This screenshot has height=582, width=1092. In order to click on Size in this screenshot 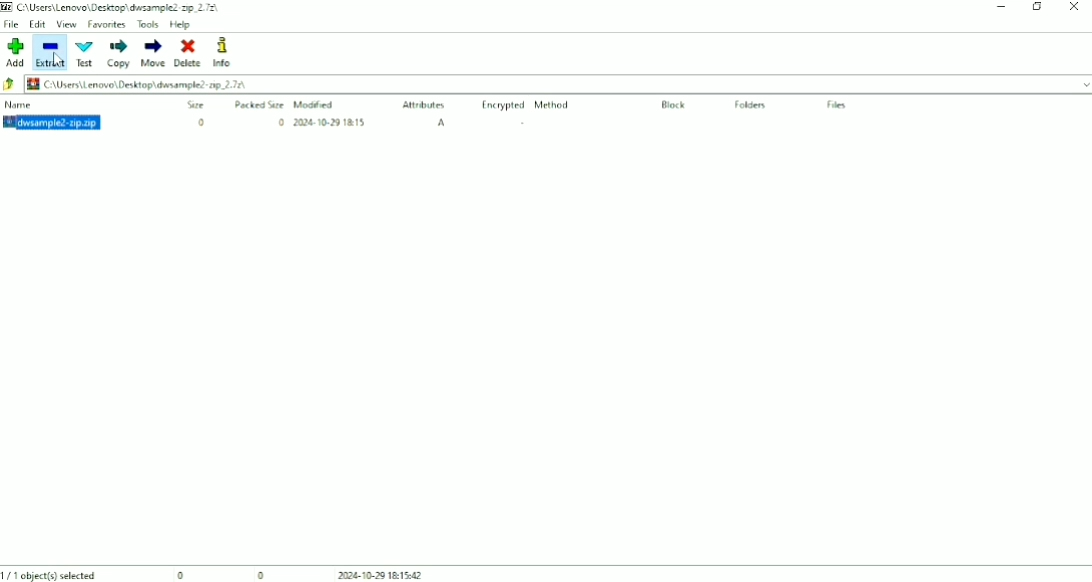, I will do `click(195, 105)`.